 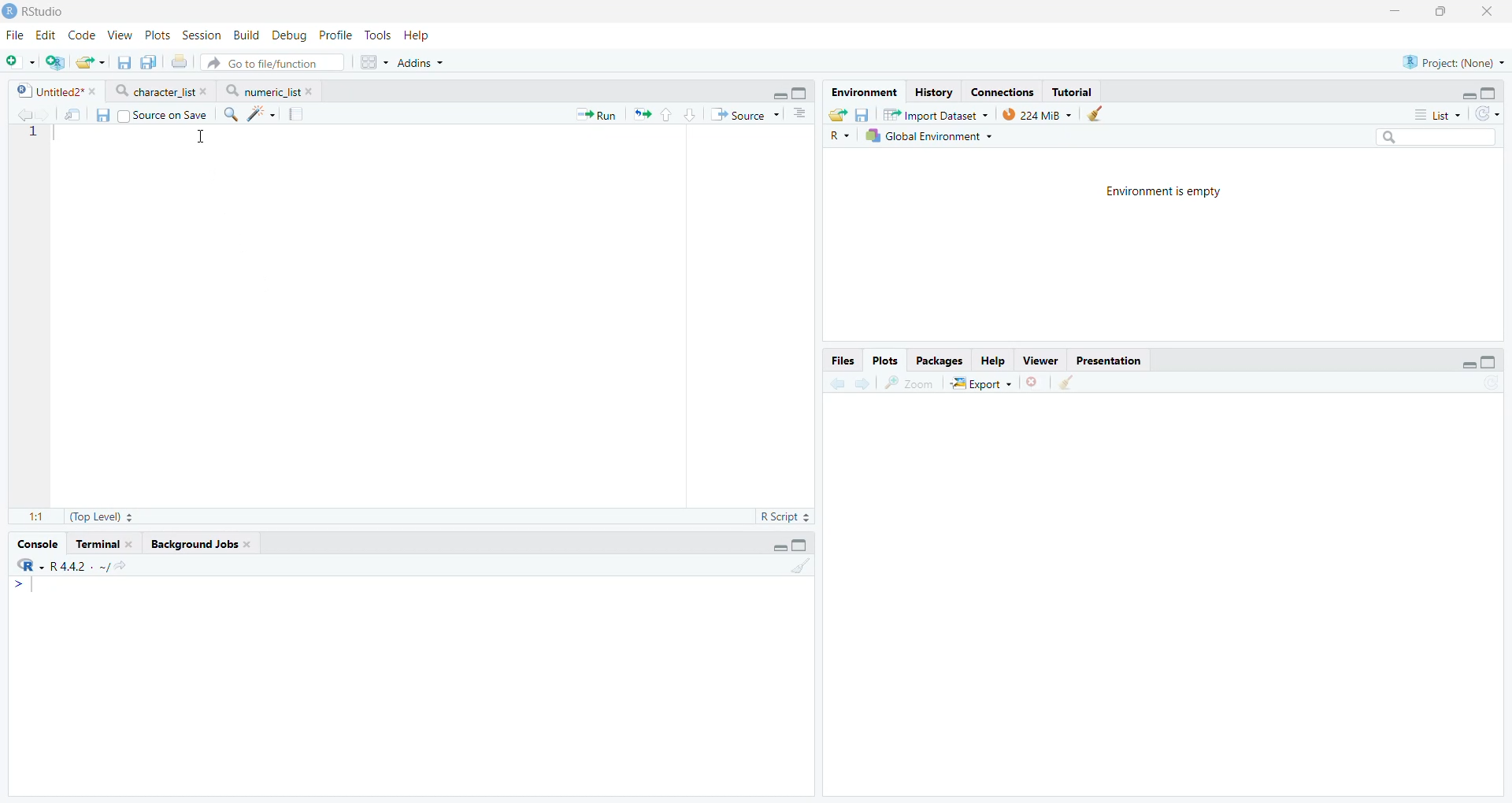 I want to click on Search, so click(x=1436, y=136).